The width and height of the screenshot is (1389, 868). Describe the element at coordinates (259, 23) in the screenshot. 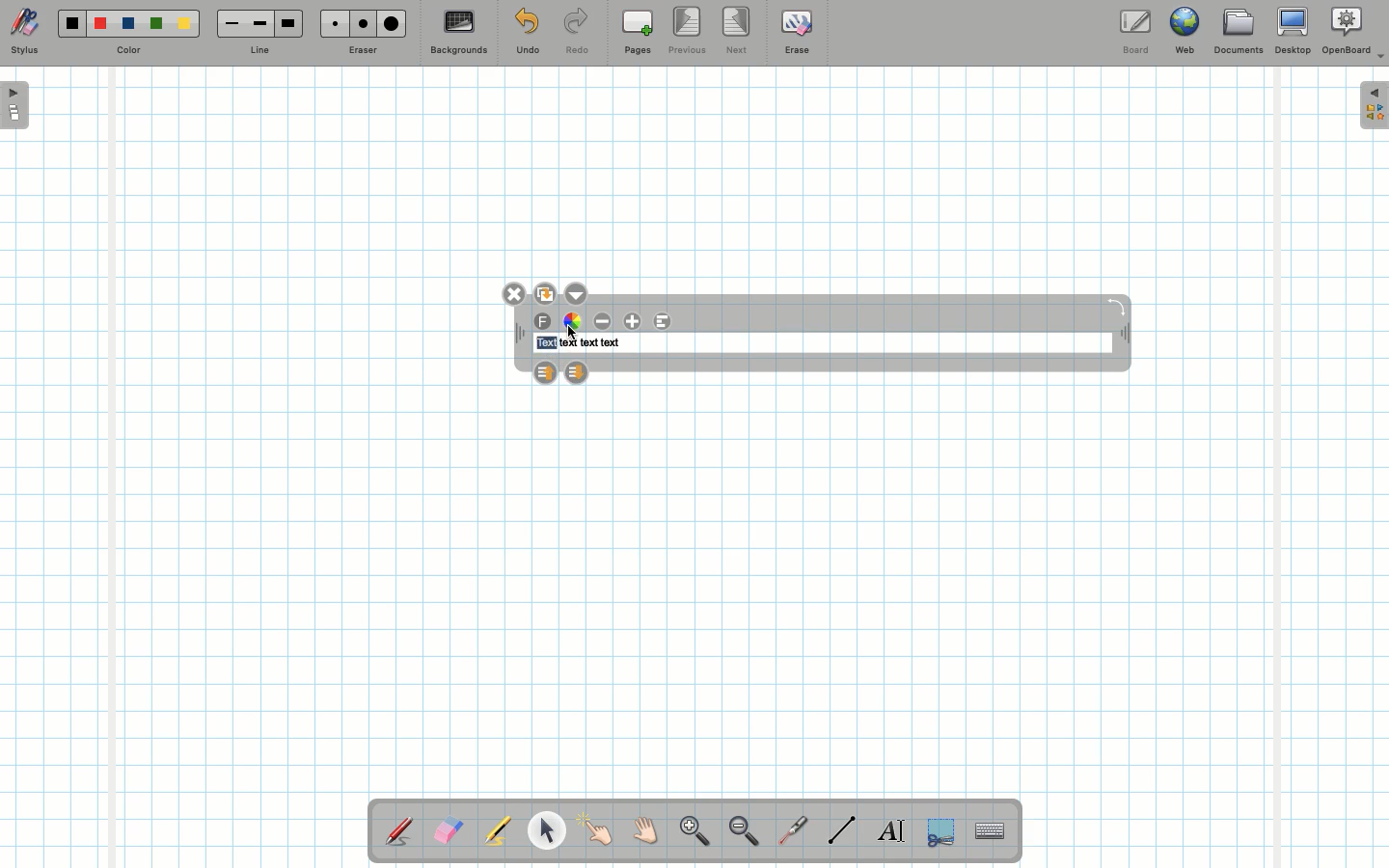

I see `Medium line` at that location.